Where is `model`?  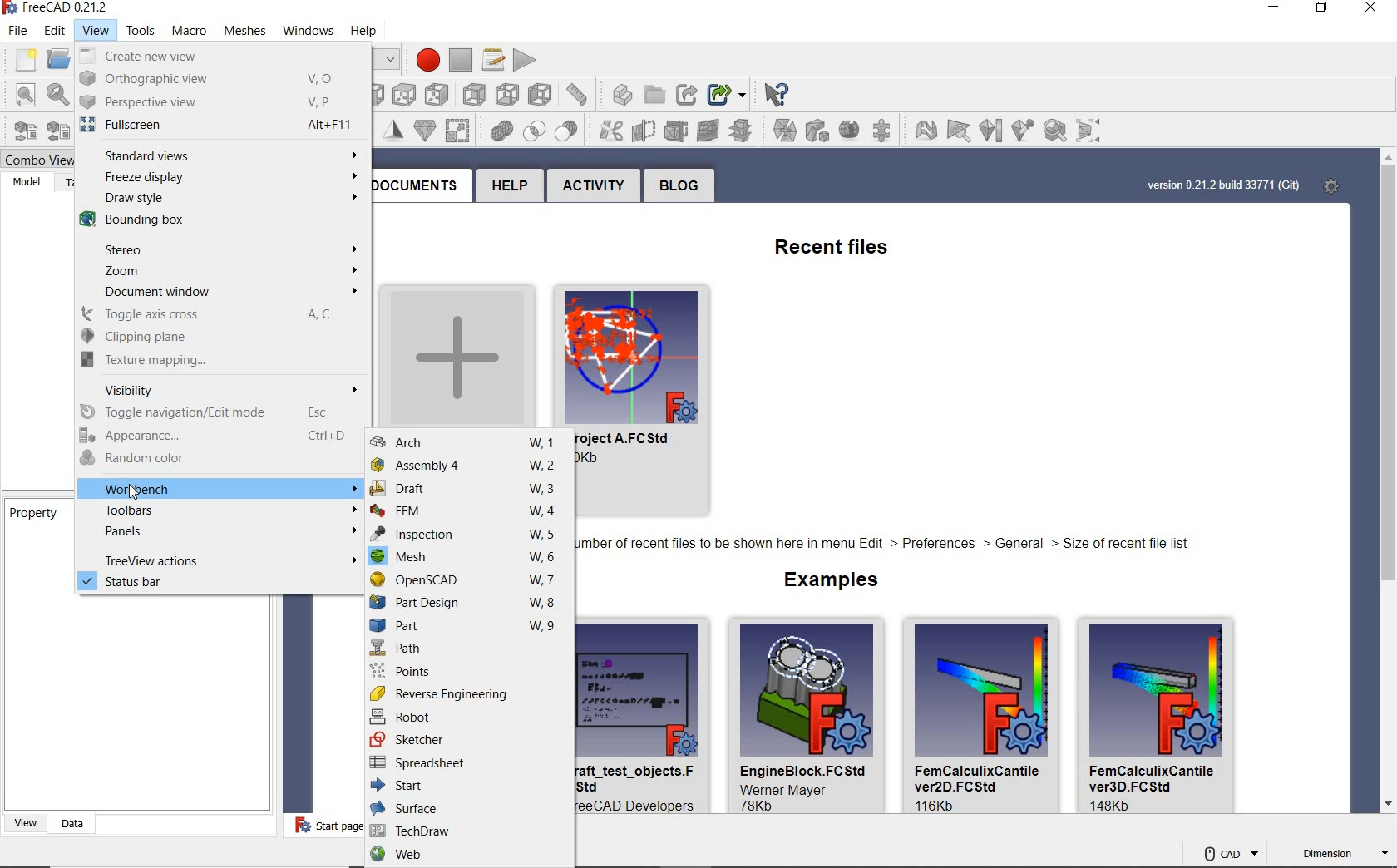
model is located at coordinates (25, 181).